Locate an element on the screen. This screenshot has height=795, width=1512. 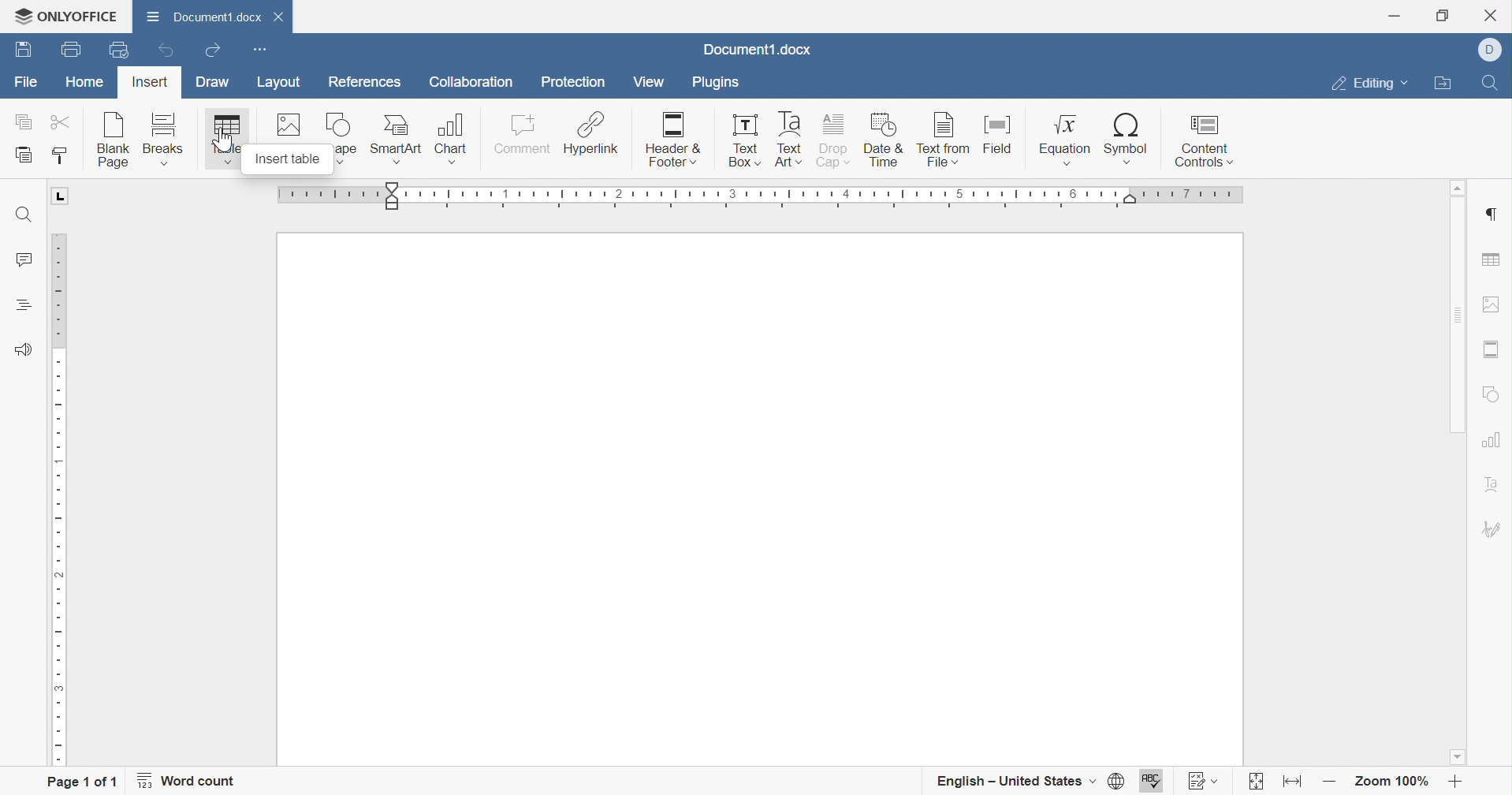
Ruler is located at coordinates (61, 473).